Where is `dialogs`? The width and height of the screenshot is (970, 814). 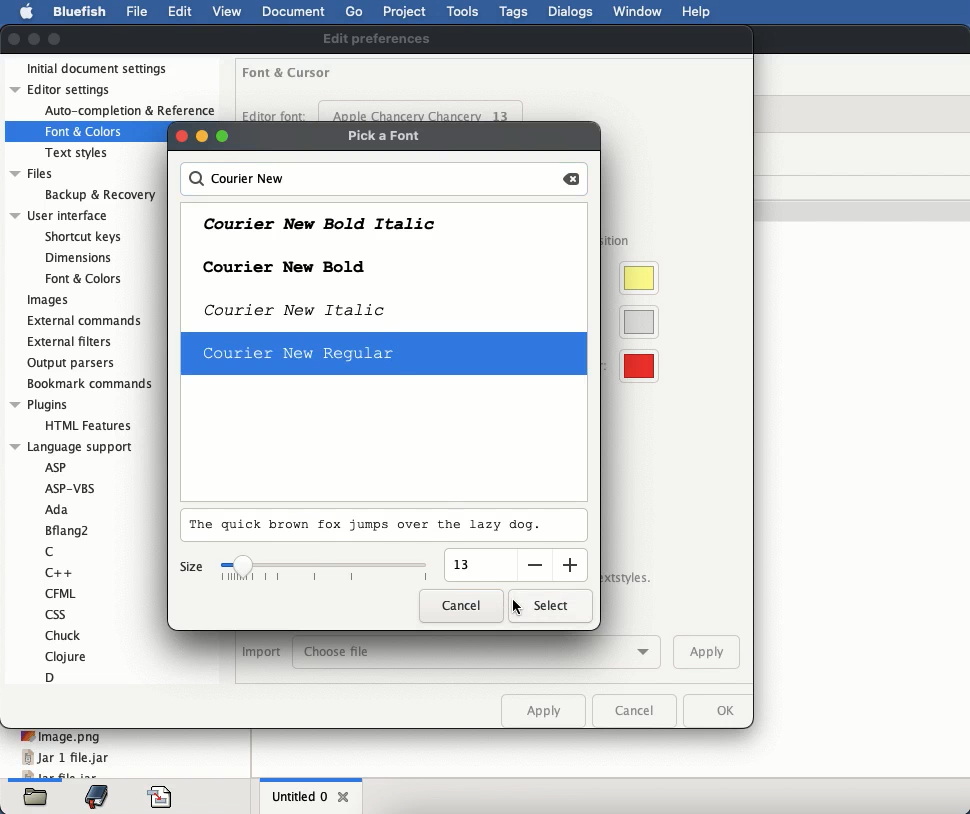
dialogs is located at coordinates (572, 12).